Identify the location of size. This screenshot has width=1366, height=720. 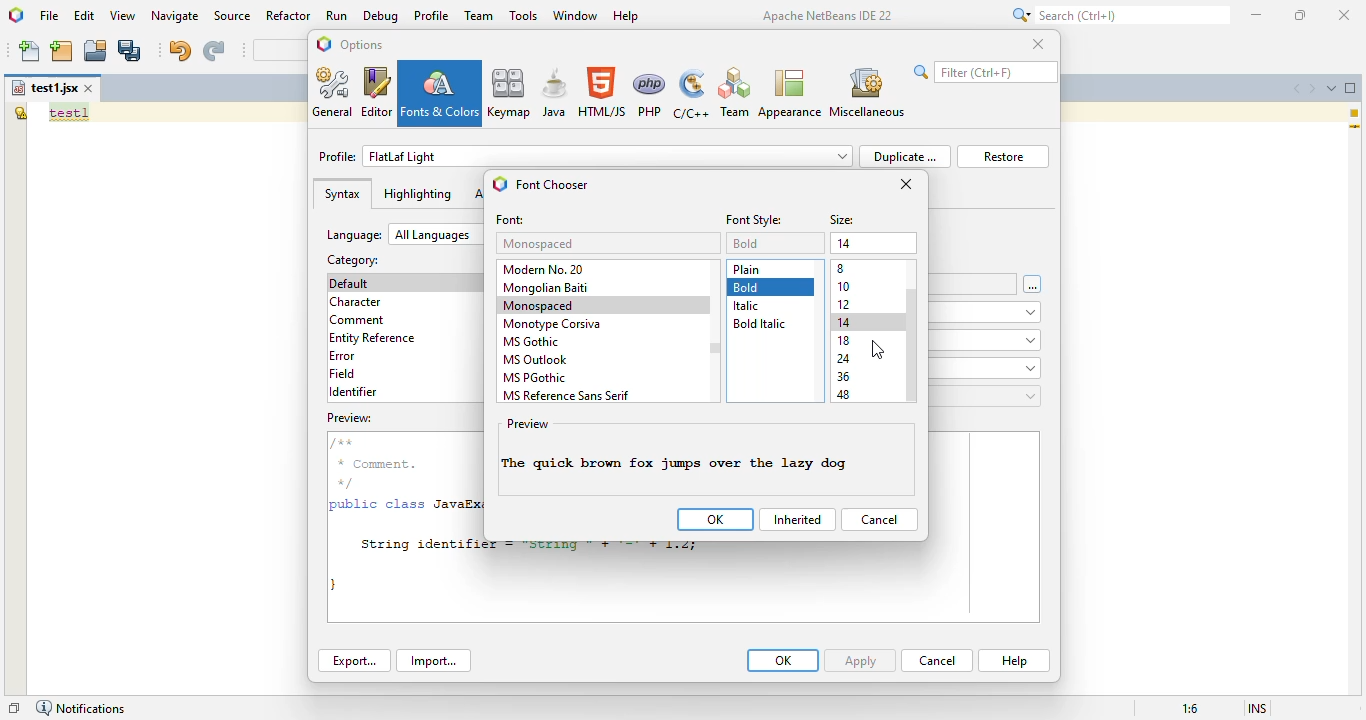
(843, 221).